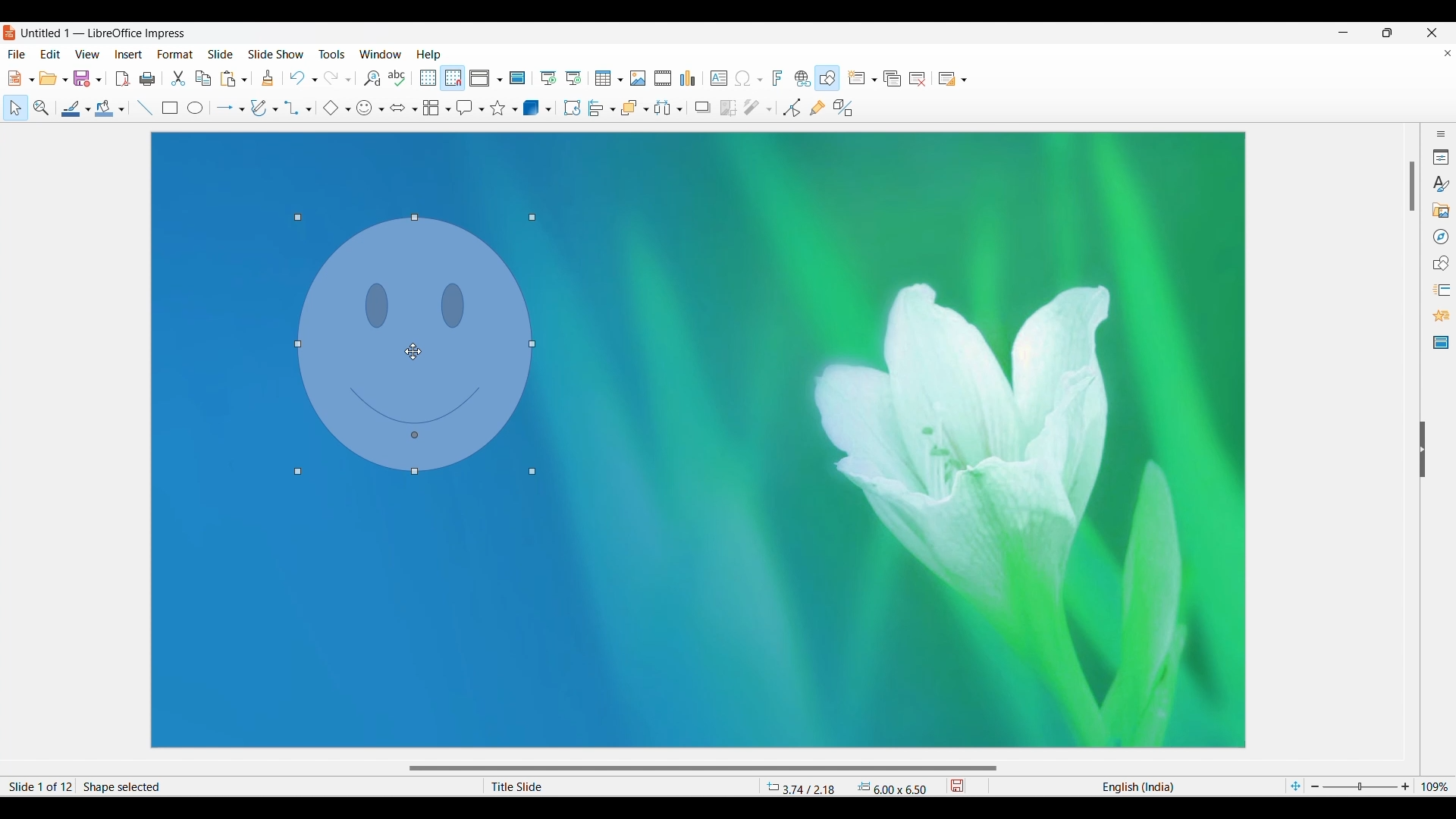  Describe the element at coordinates (99, 80) in the screenshot. I see `Save options` at that location.